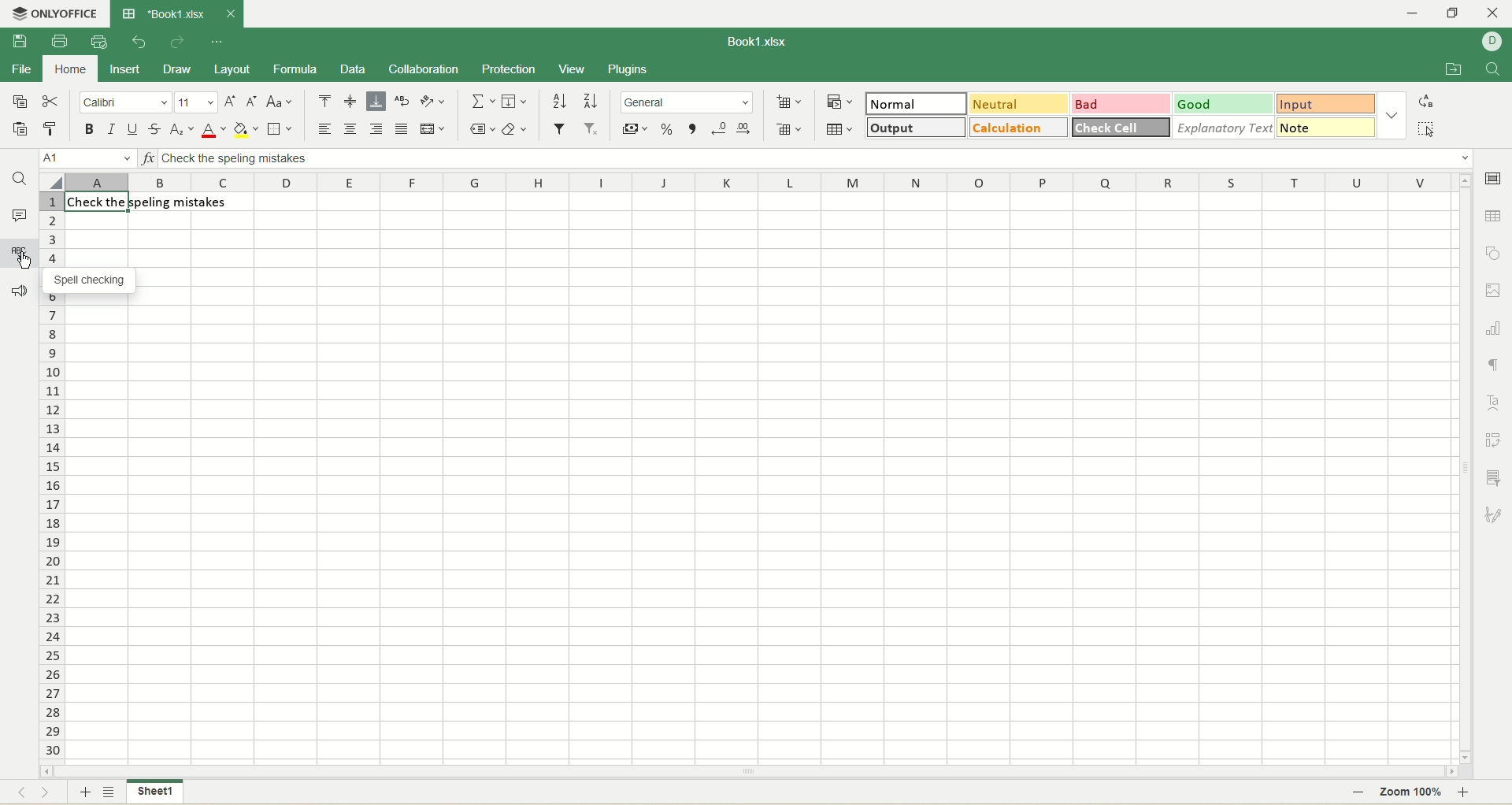  Describe the element at coordinates (52, 129) in the screenshot. I see `copy style` at that location.